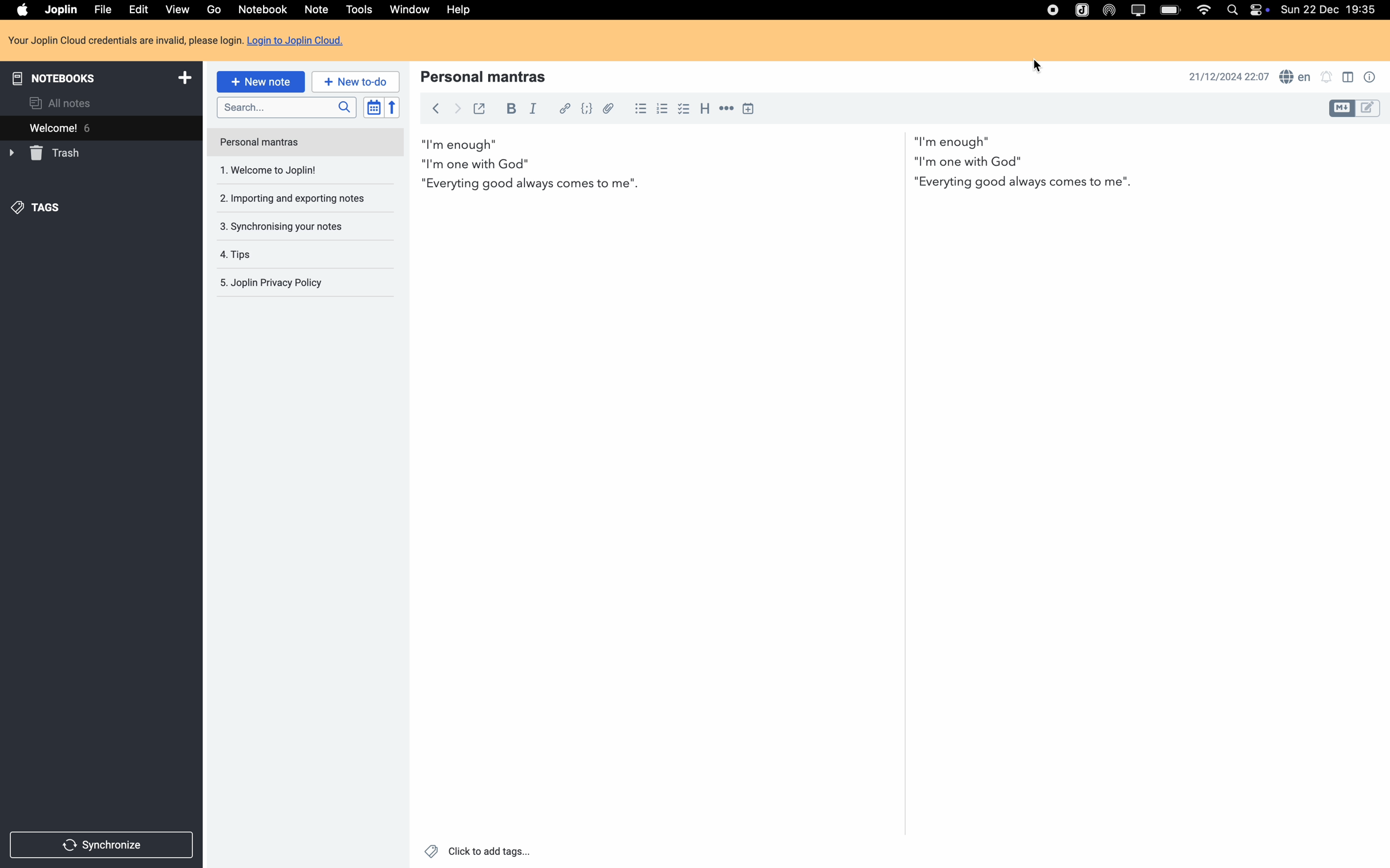 This screenshot has height=868, width=1390. What do you see at coordinates (213, 10) in the screenshot?
I see `go` at bounding box center [213, 10].